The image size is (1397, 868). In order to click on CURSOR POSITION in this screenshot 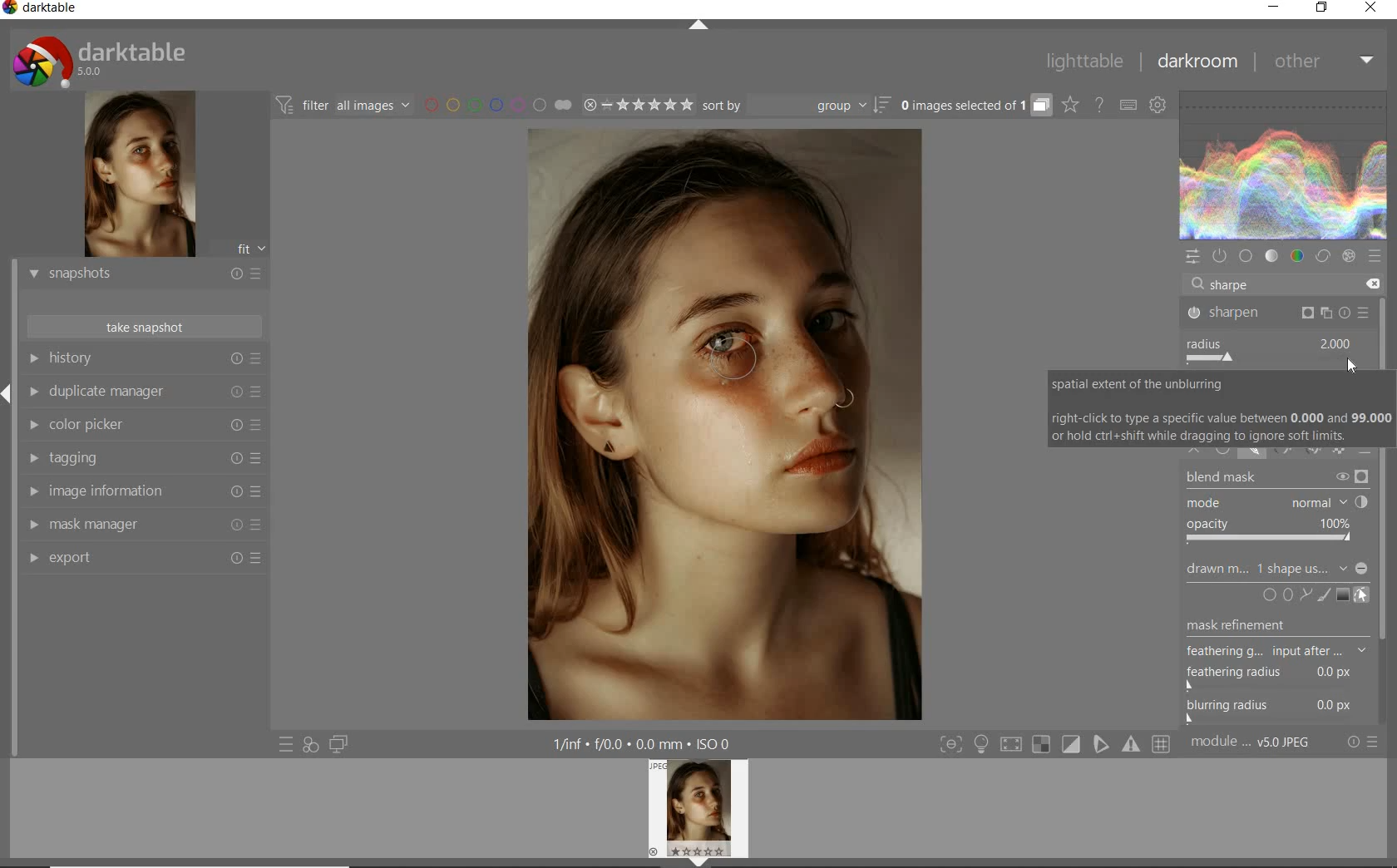, I will do `click(1353, 367)`.